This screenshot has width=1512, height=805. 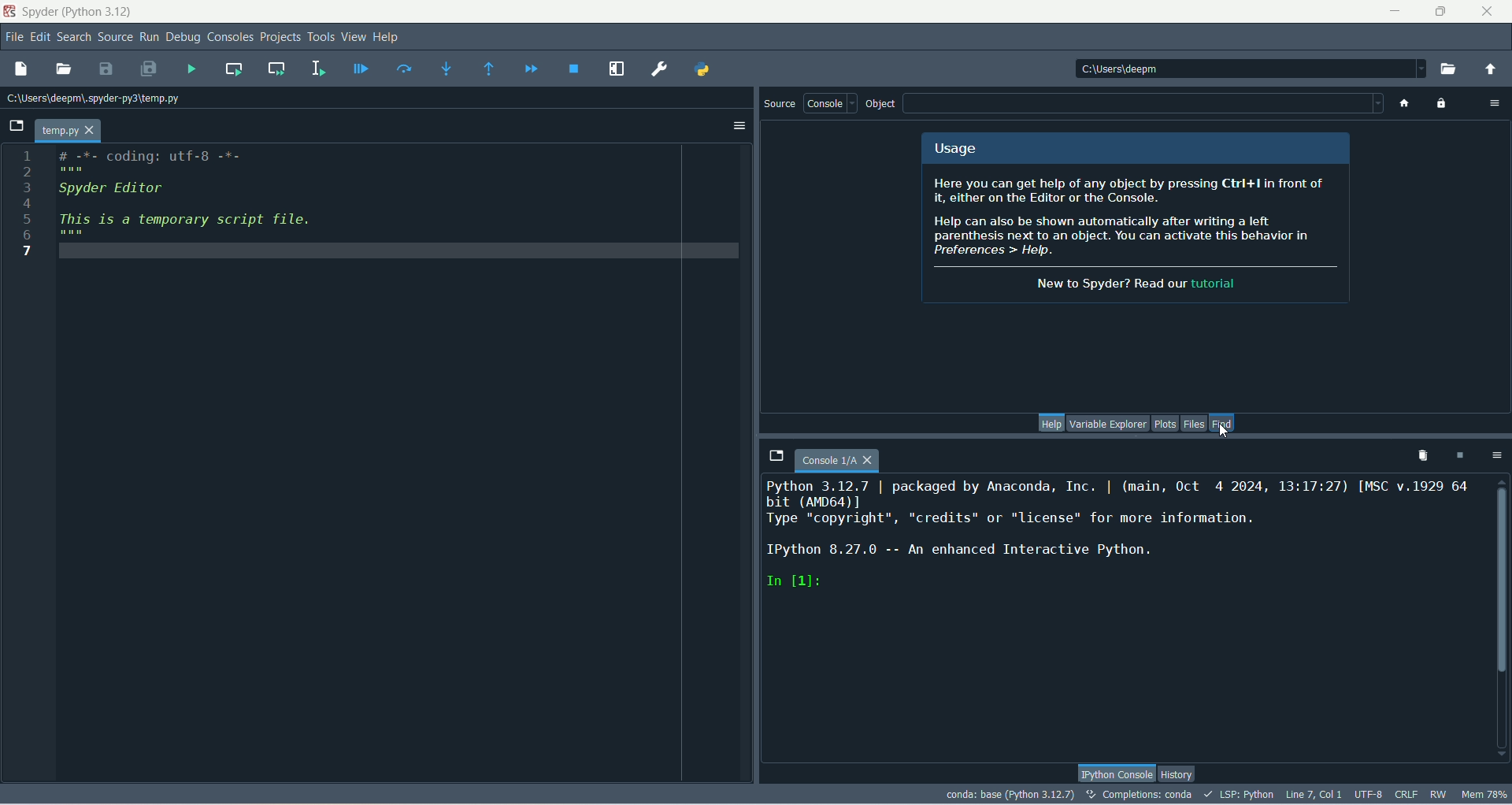 I want to click on run current cell, so click(x=234, y=69).